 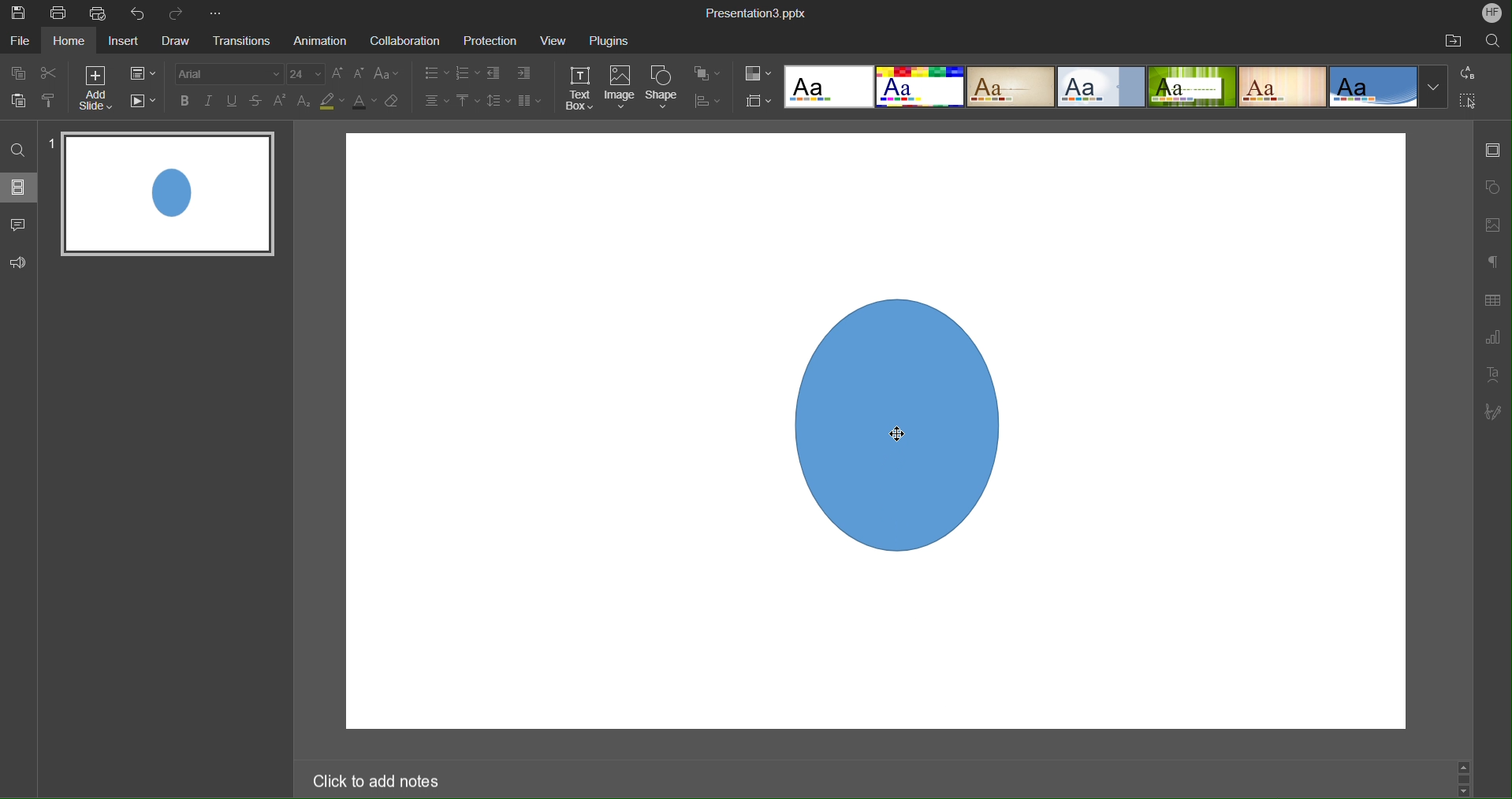 I want to click on Open File Location, so click(x=1451, y=41).